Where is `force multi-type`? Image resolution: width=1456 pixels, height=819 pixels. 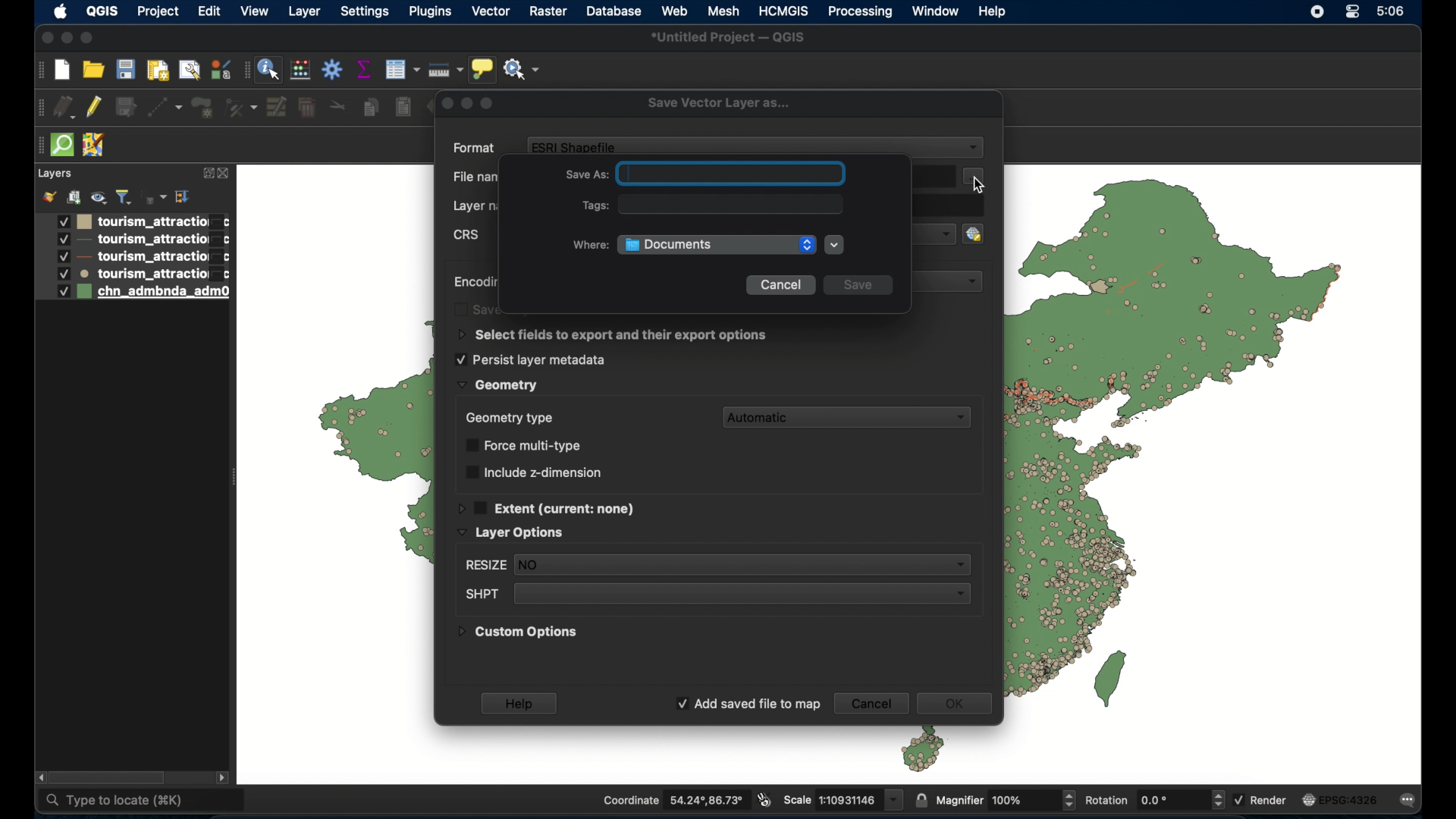
force multi-type is located at coordinates (527, 445).